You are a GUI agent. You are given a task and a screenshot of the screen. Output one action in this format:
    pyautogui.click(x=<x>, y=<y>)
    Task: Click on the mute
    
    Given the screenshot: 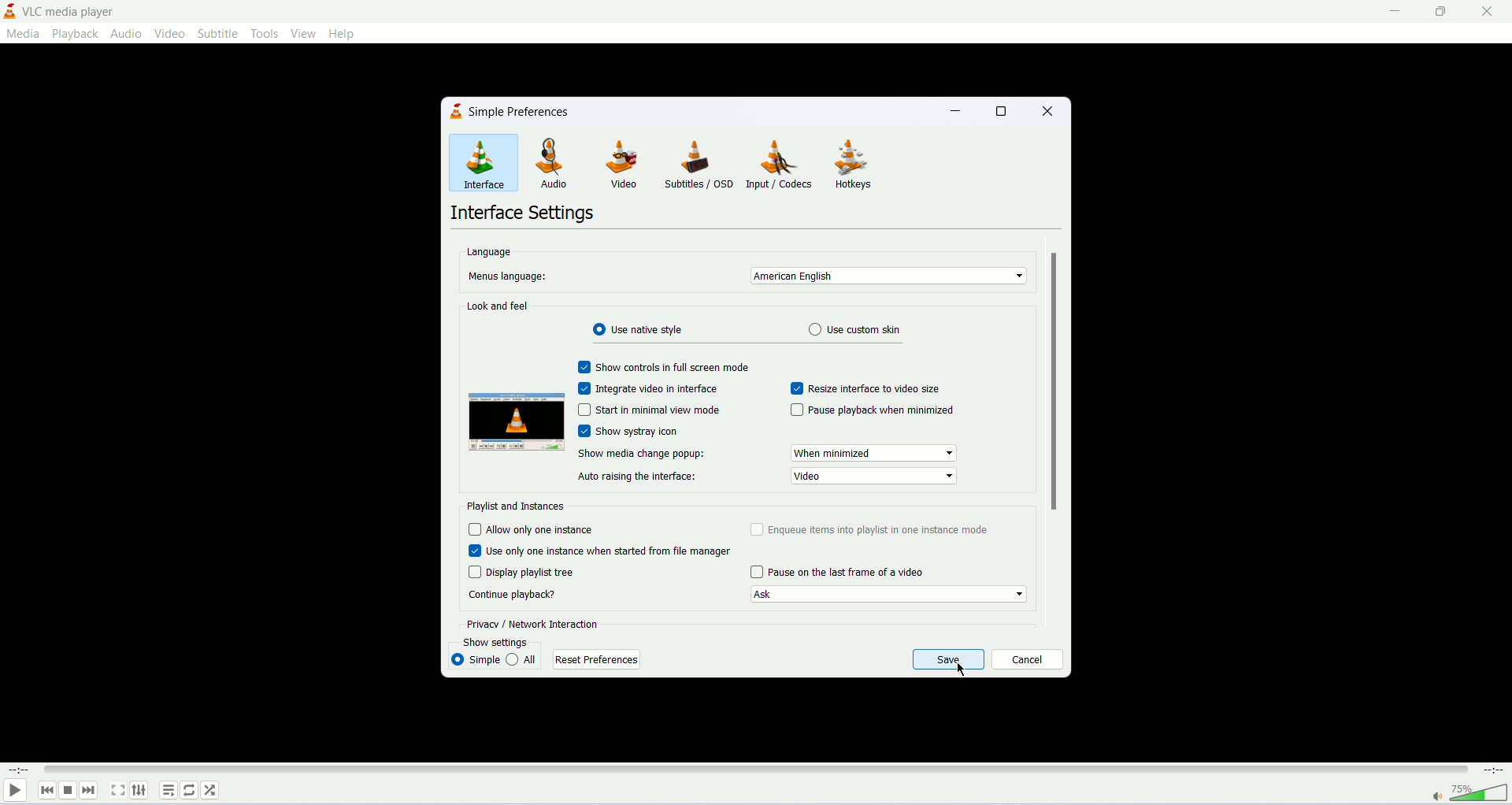 What is the action you would take?
    pyautogui.click(x=1437, y=796)
    